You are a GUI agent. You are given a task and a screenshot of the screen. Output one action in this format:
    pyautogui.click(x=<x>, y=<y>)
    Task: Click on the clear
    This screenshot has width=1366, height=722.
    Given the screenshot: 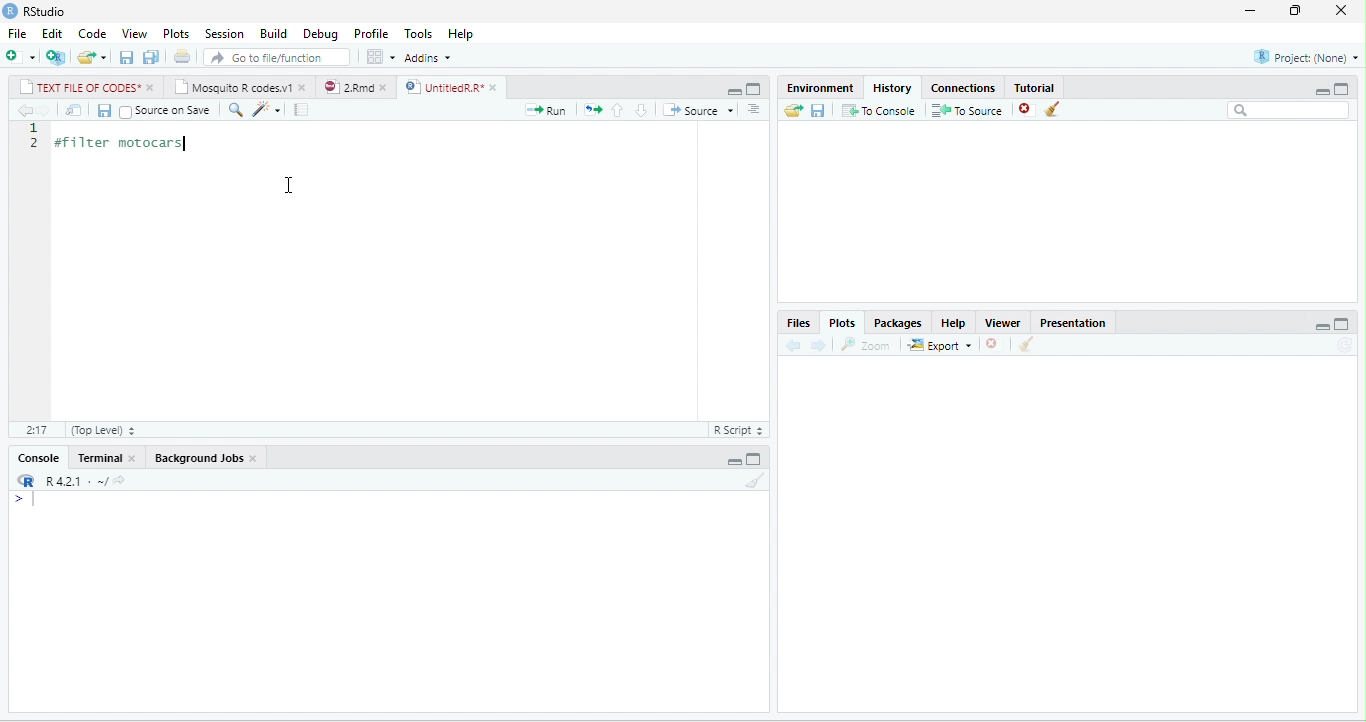 What is the action you would take?
    pyautogui.click(x=1026, y=344)
    